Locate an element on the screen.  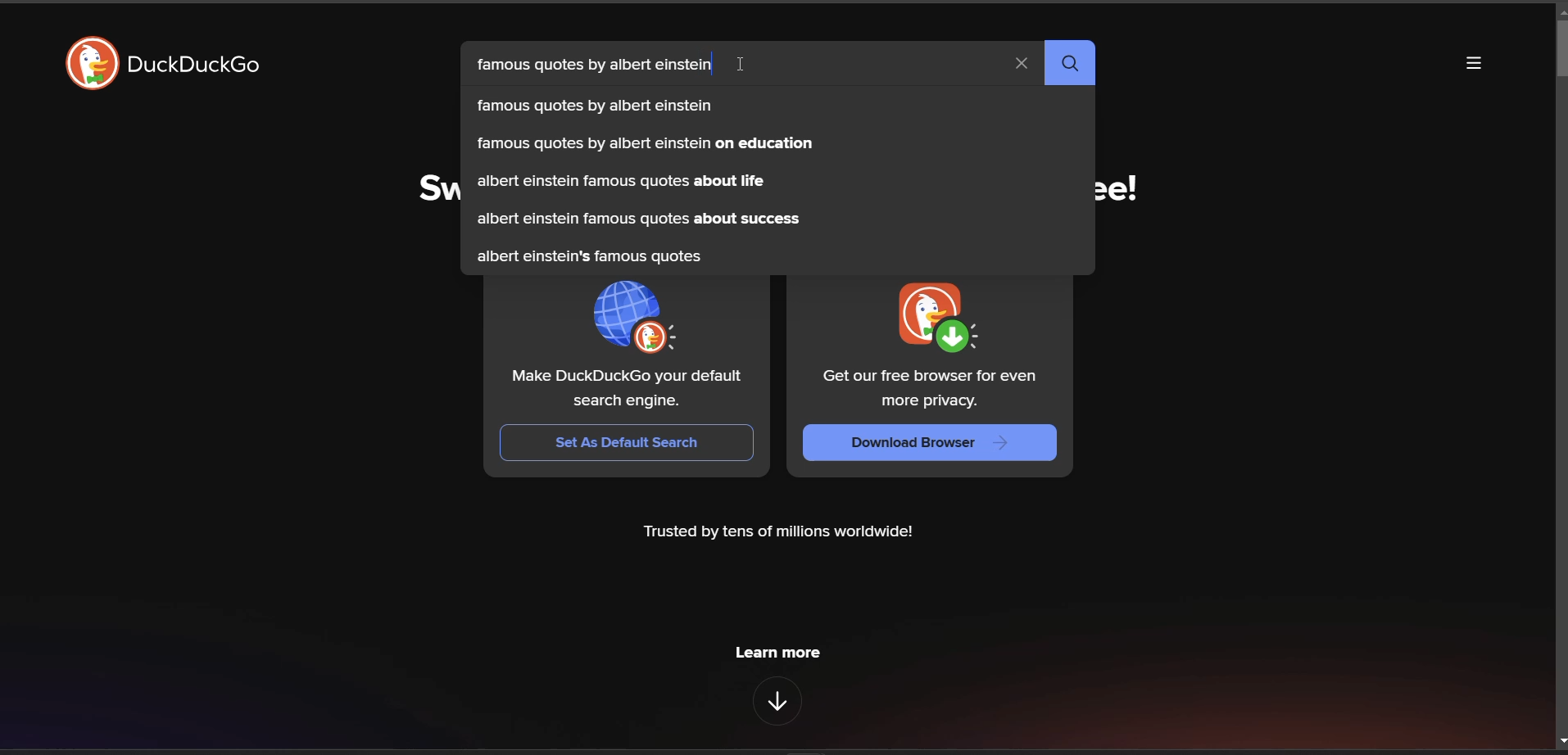
cursor is located at coordinates (746, 62).